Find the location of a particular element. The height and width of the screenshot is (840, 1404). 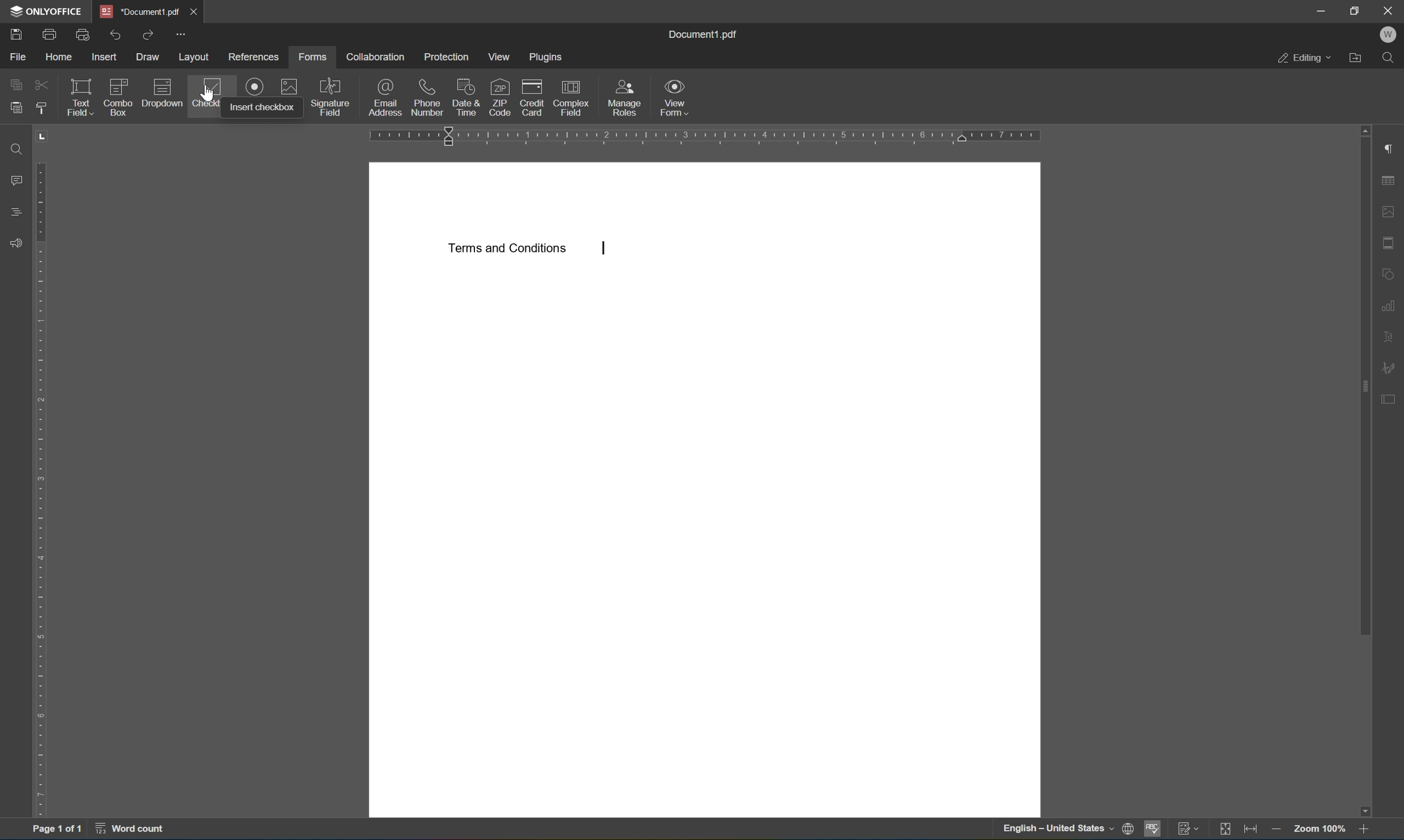

file is located at coordinates (20, 56).